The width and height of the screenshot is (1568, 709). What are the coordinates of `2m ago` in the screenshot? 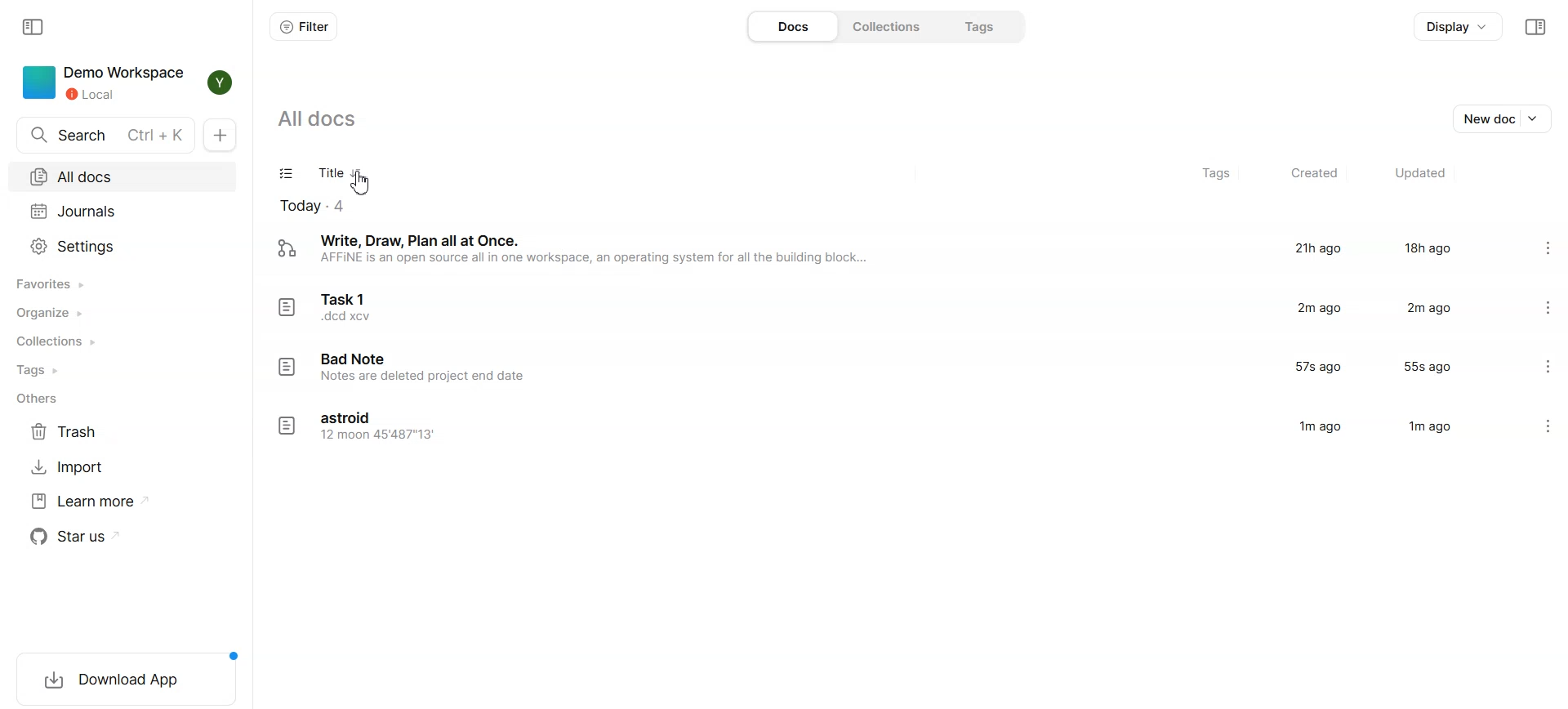 It's located at (1432, 310).